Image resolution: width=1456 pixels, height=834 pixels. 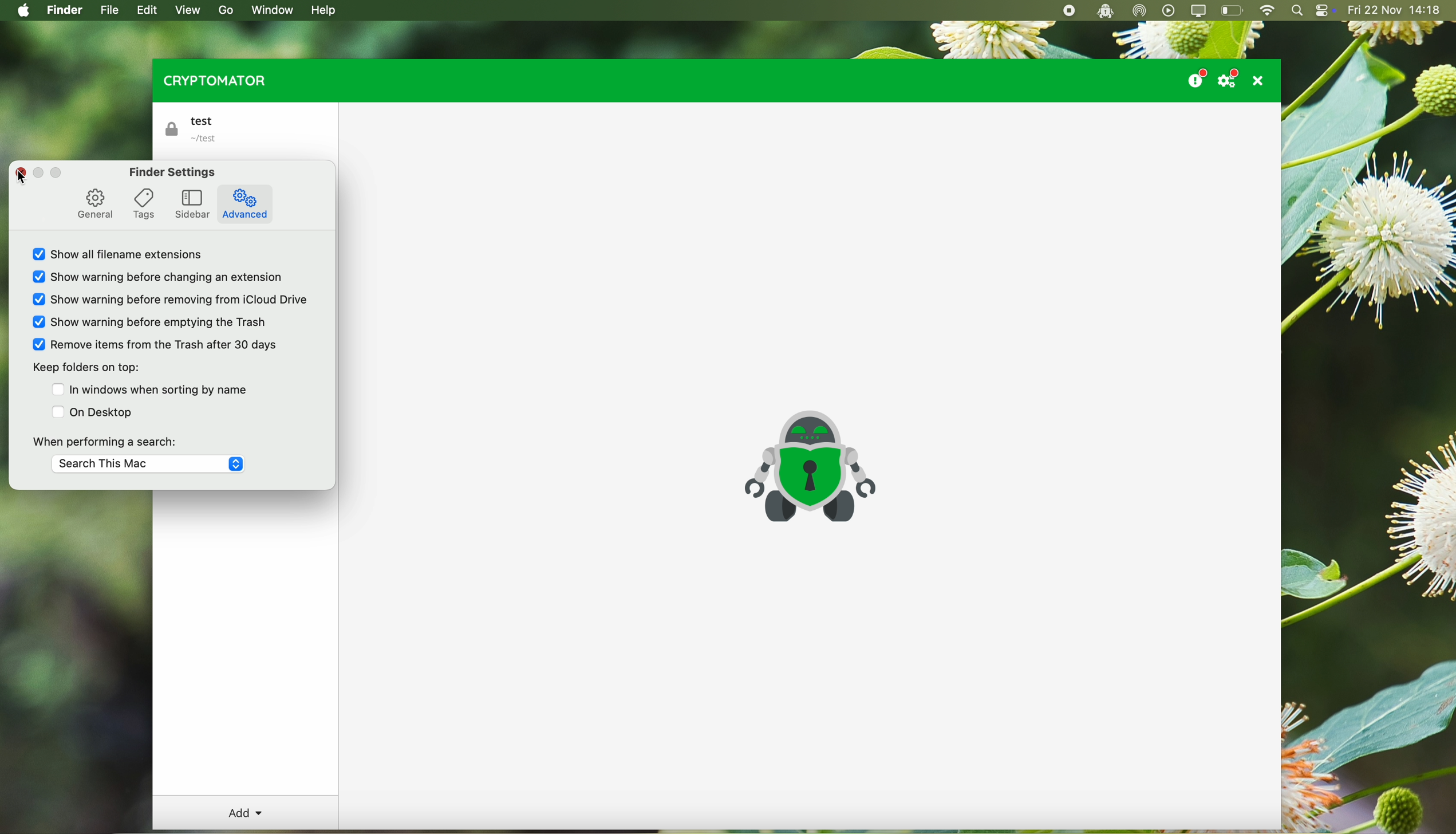 I want to click on stop recording, so click(x=1067, y=11).